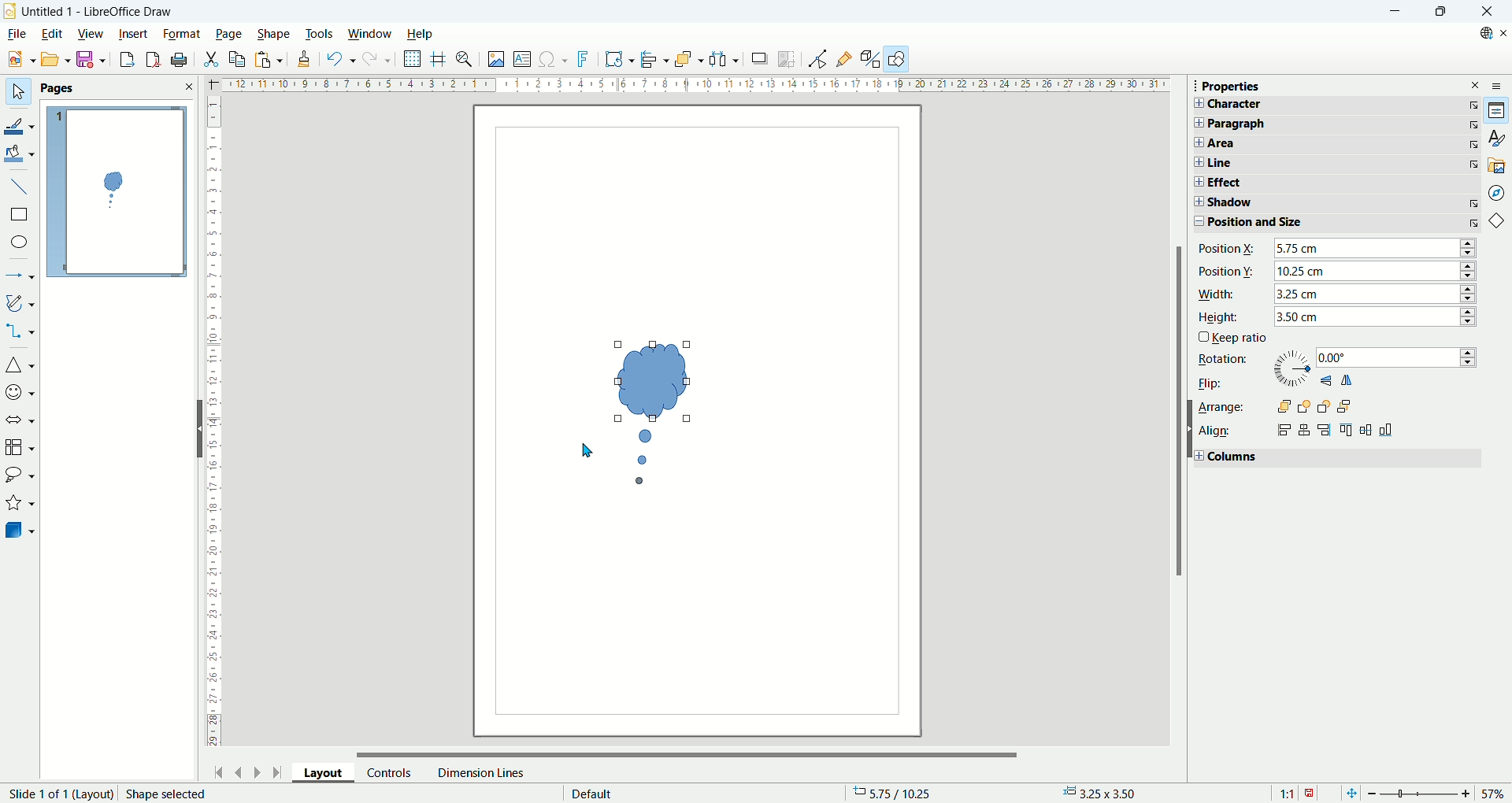  What do you see at coordinates (1503, 33) in the screenshot?
I see `Close document` at bounding box center [1503, 33].